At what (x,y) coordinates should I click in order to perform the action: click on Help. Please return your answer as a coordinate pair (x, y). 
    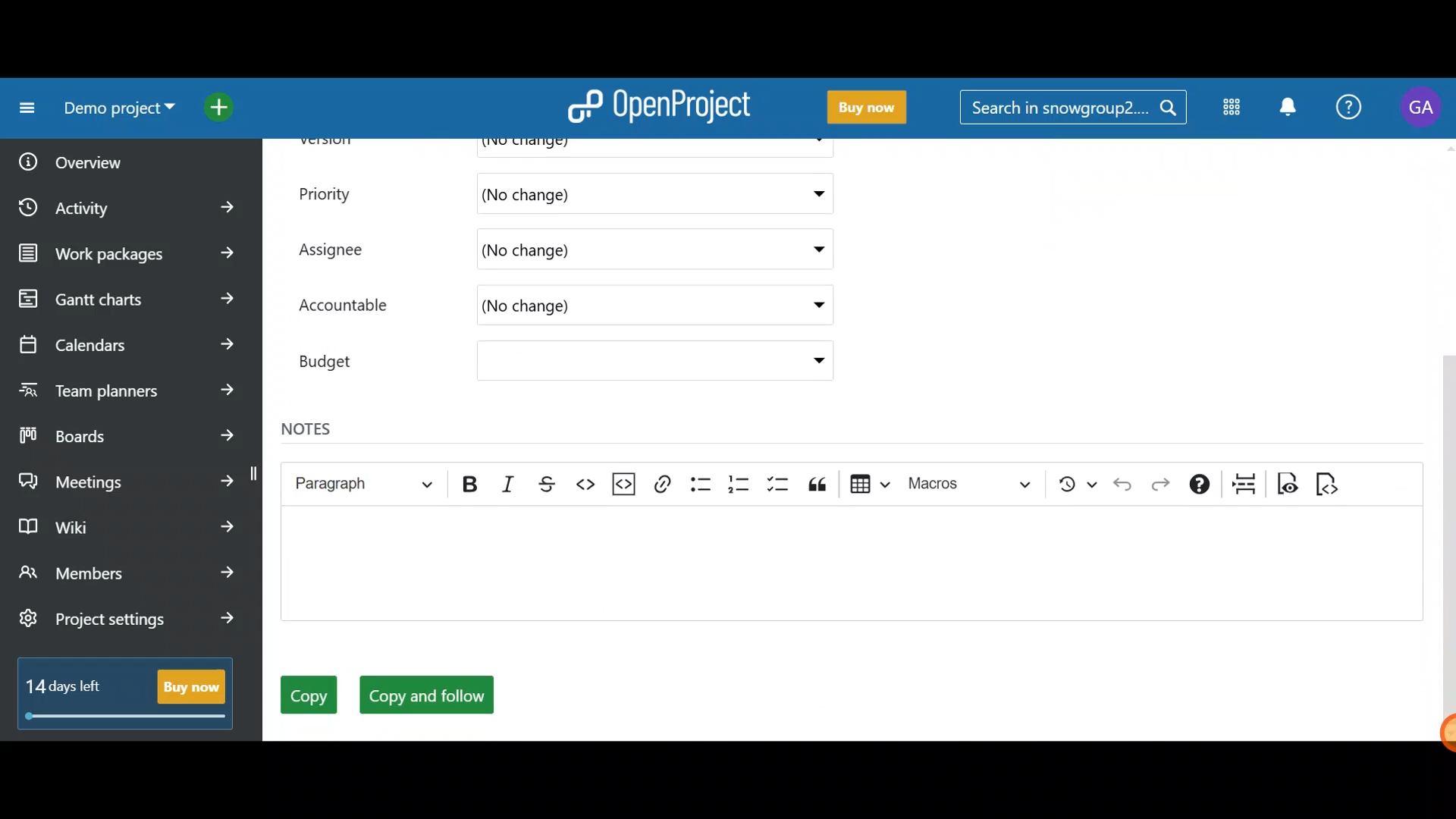
    Looking at the image, I should click on (1350, 109).